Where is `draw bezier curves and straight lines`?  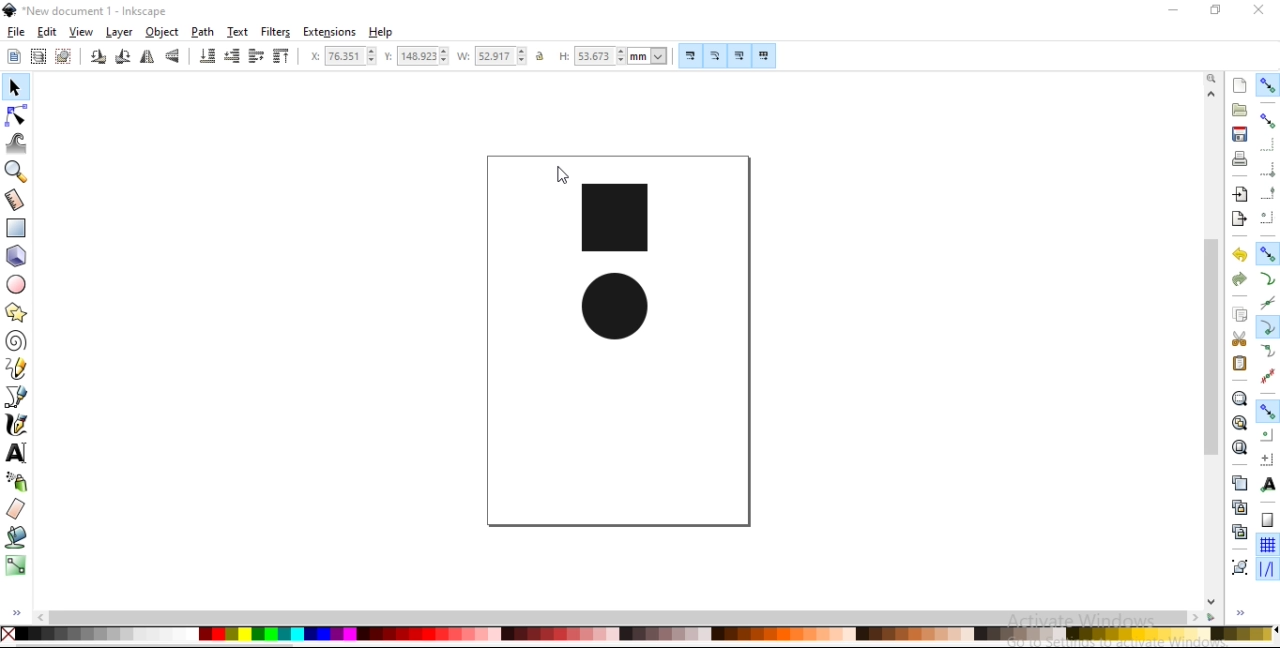
draw bezier curves and straight lines is located at coordinates (17, 398).